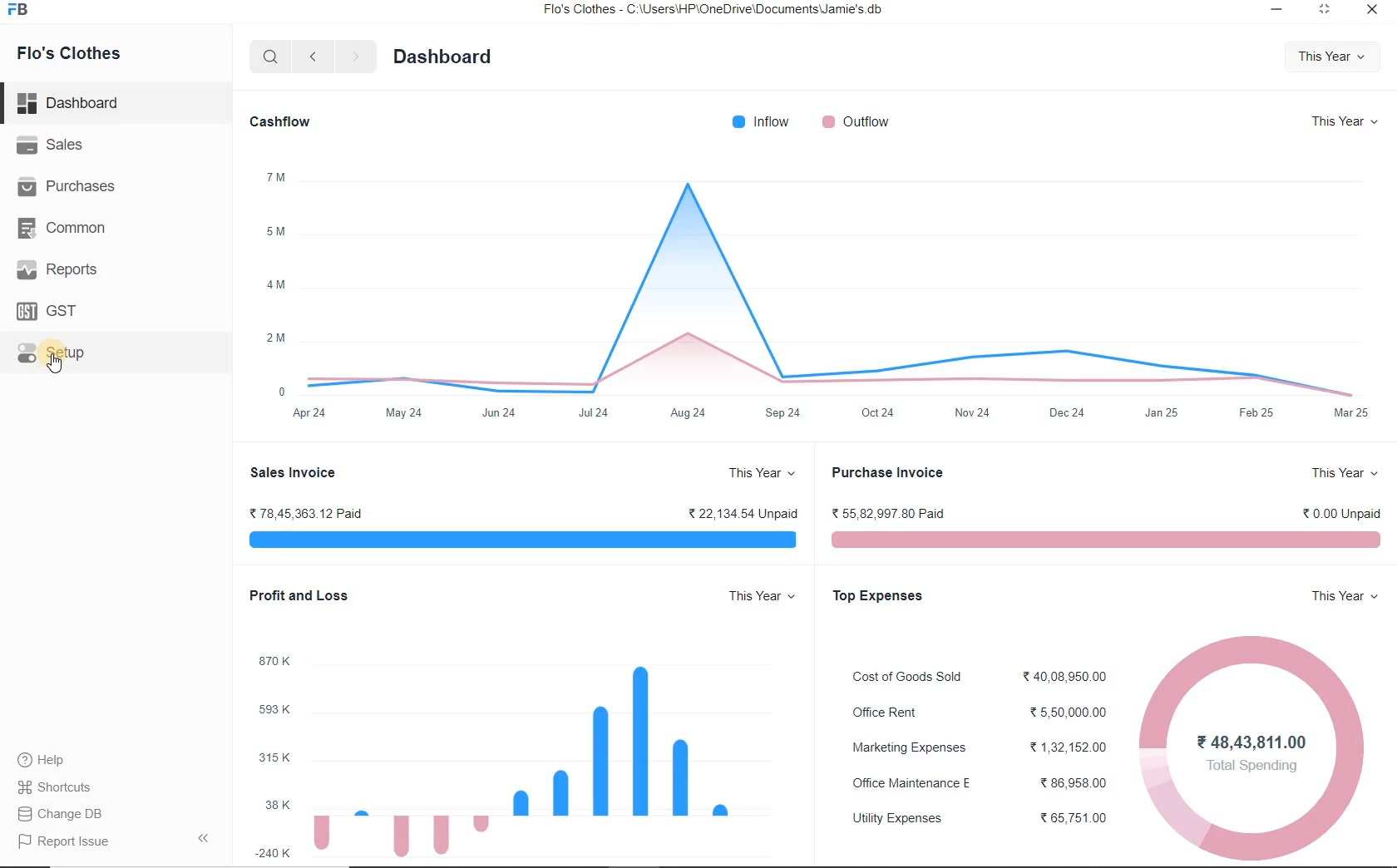  I want to click on 38 K, so click(278, 804).